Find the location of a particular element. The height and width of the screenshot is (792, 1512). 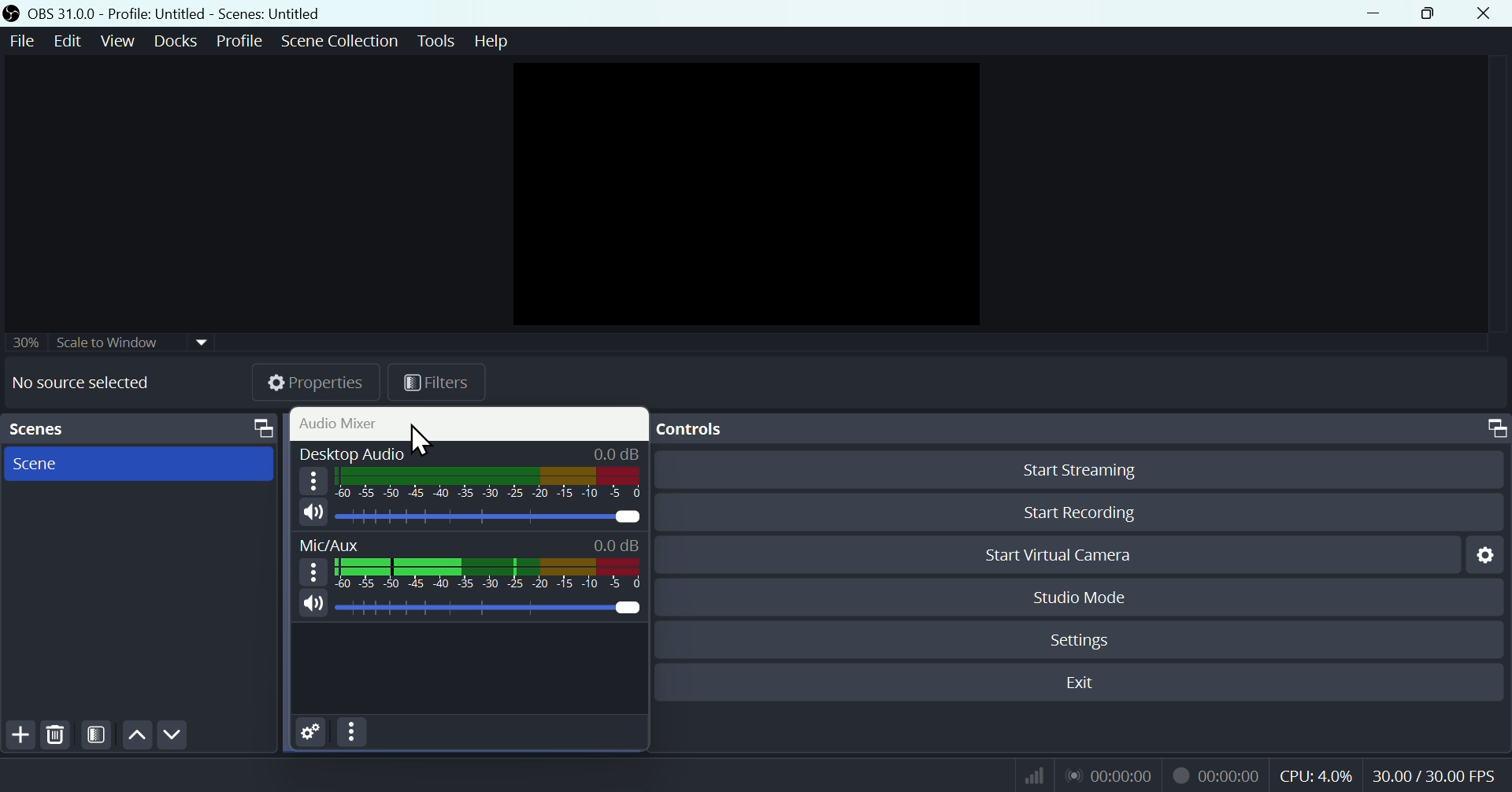

Close is located at coordinates (1484, 13).